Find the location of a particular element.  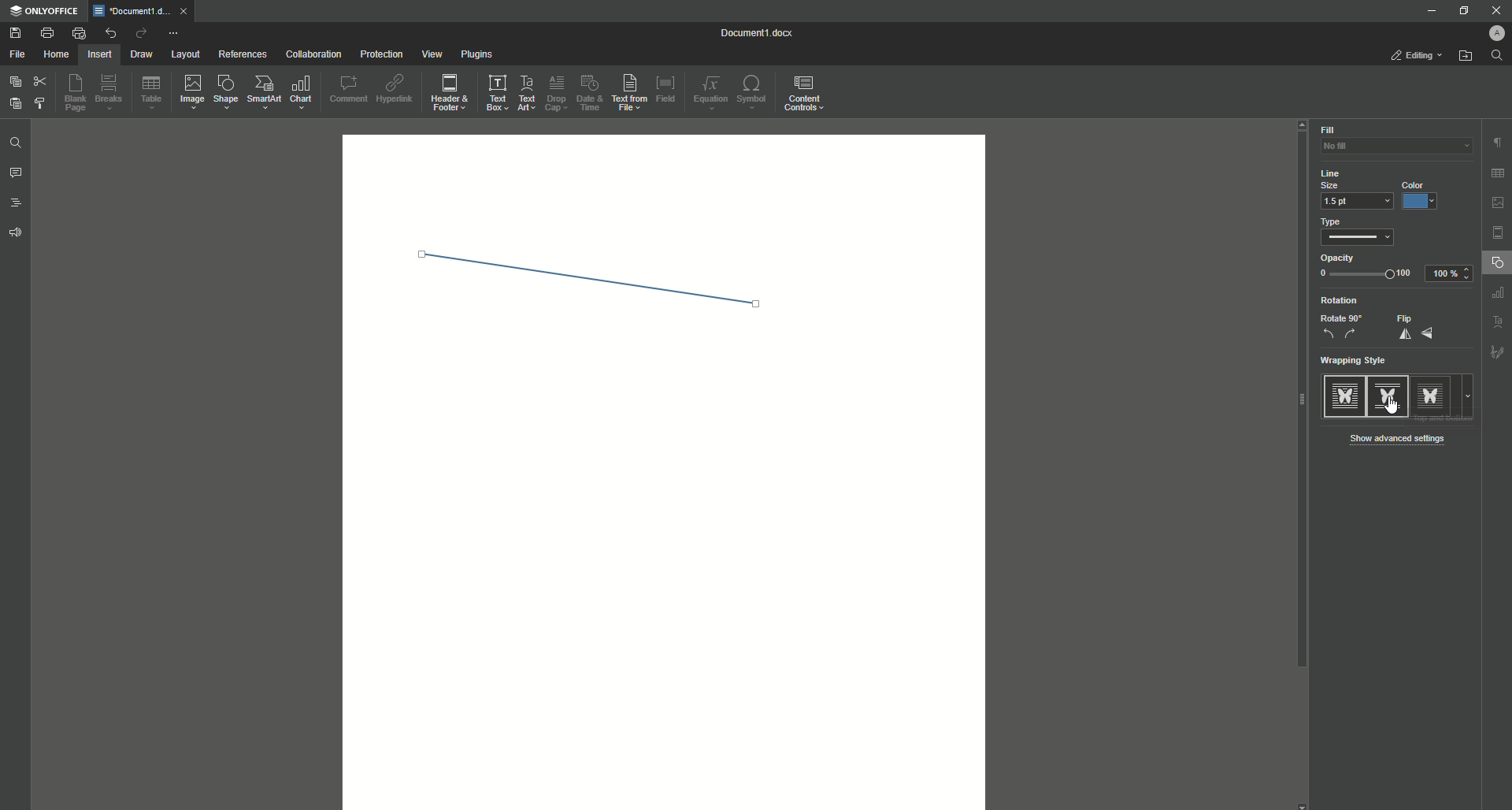

More Options is located at coordinates (175, 34).